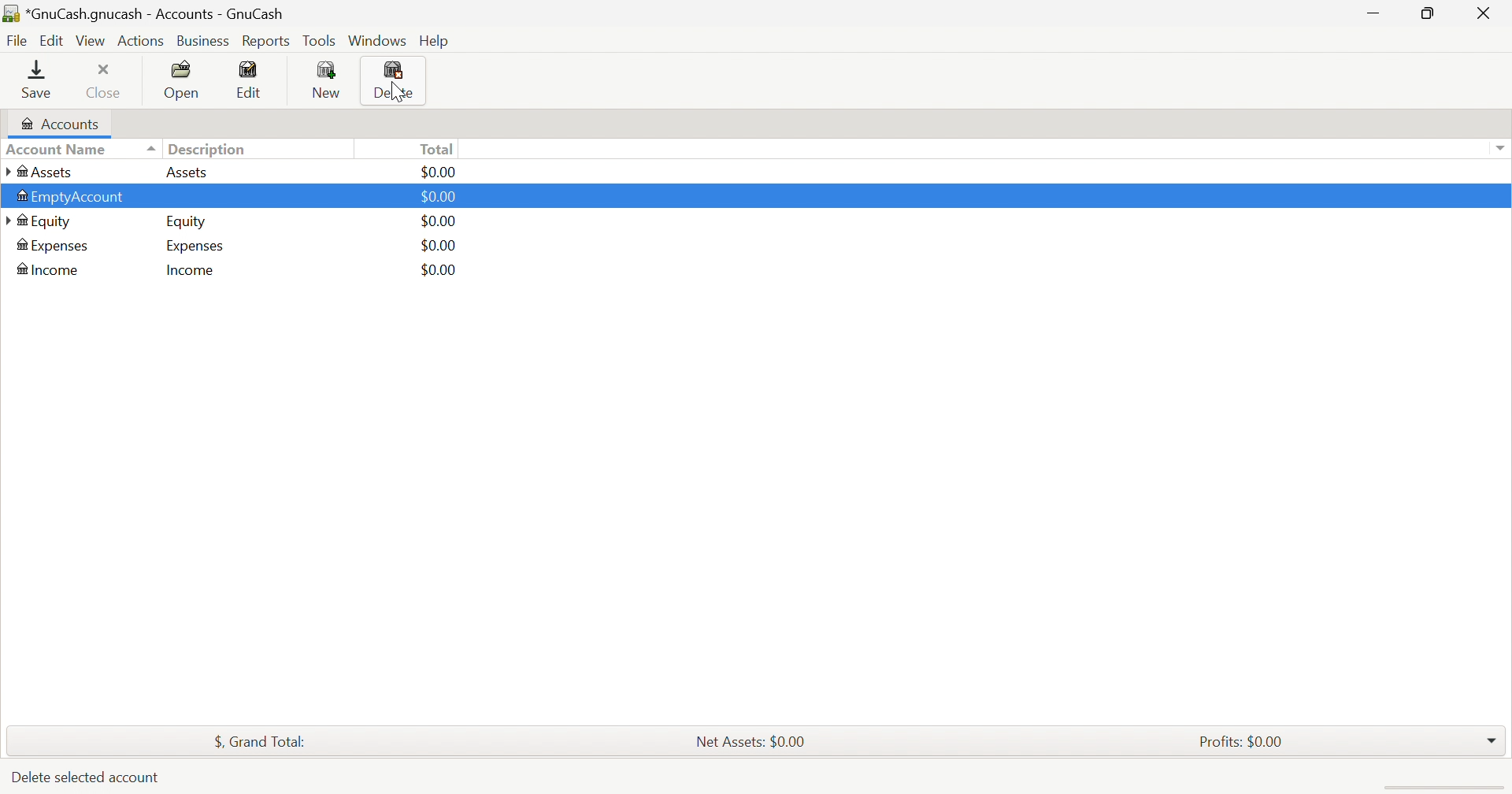 Image resolution: width=1512 pixels, height=794 pixels. Describe the element at coordinates (72, 198) in the screenshot. I see `EmptyAccount` at that location.